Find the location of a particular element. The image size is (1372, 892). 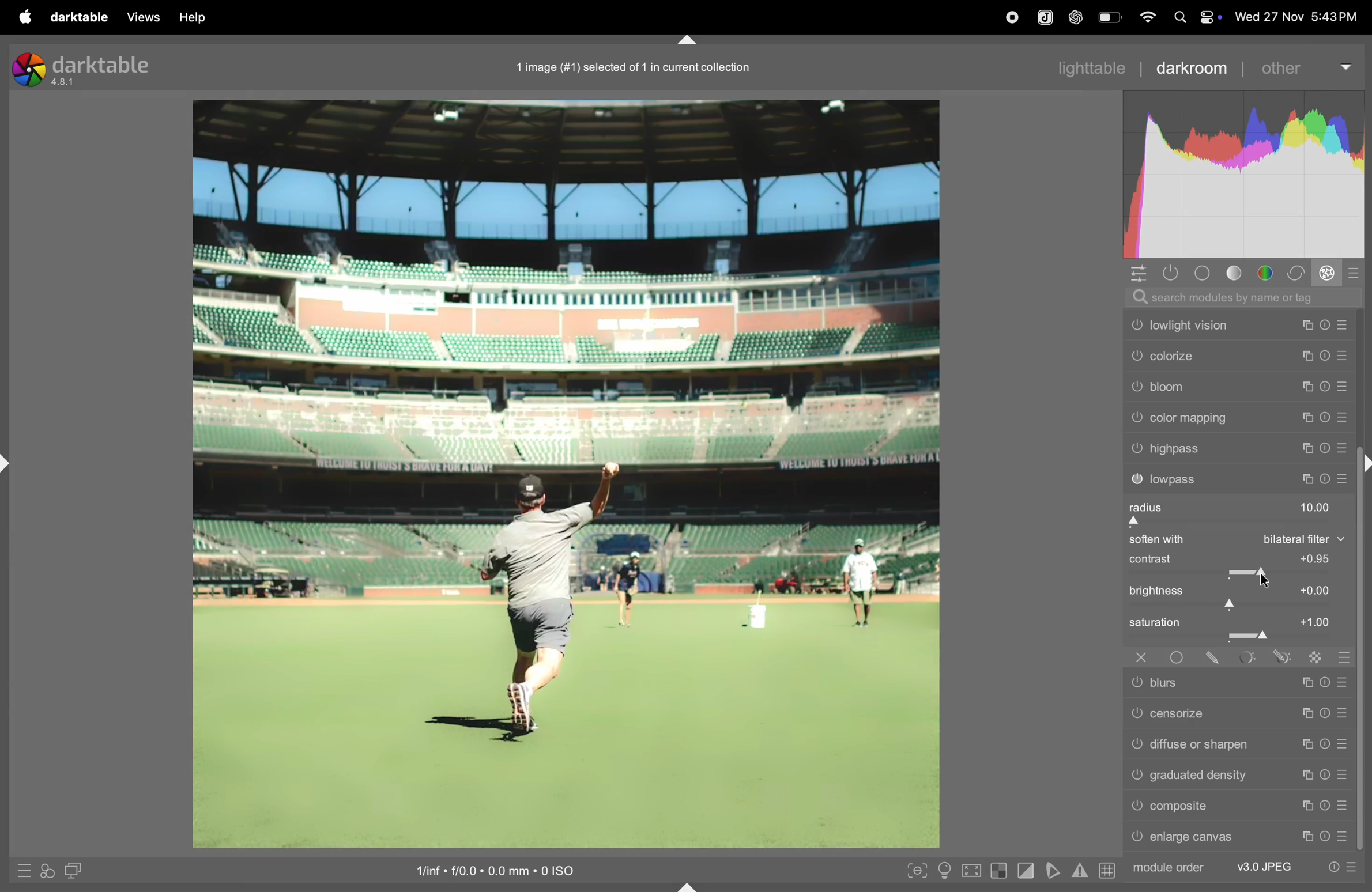

colorize is located at coordinates (1237, 358).